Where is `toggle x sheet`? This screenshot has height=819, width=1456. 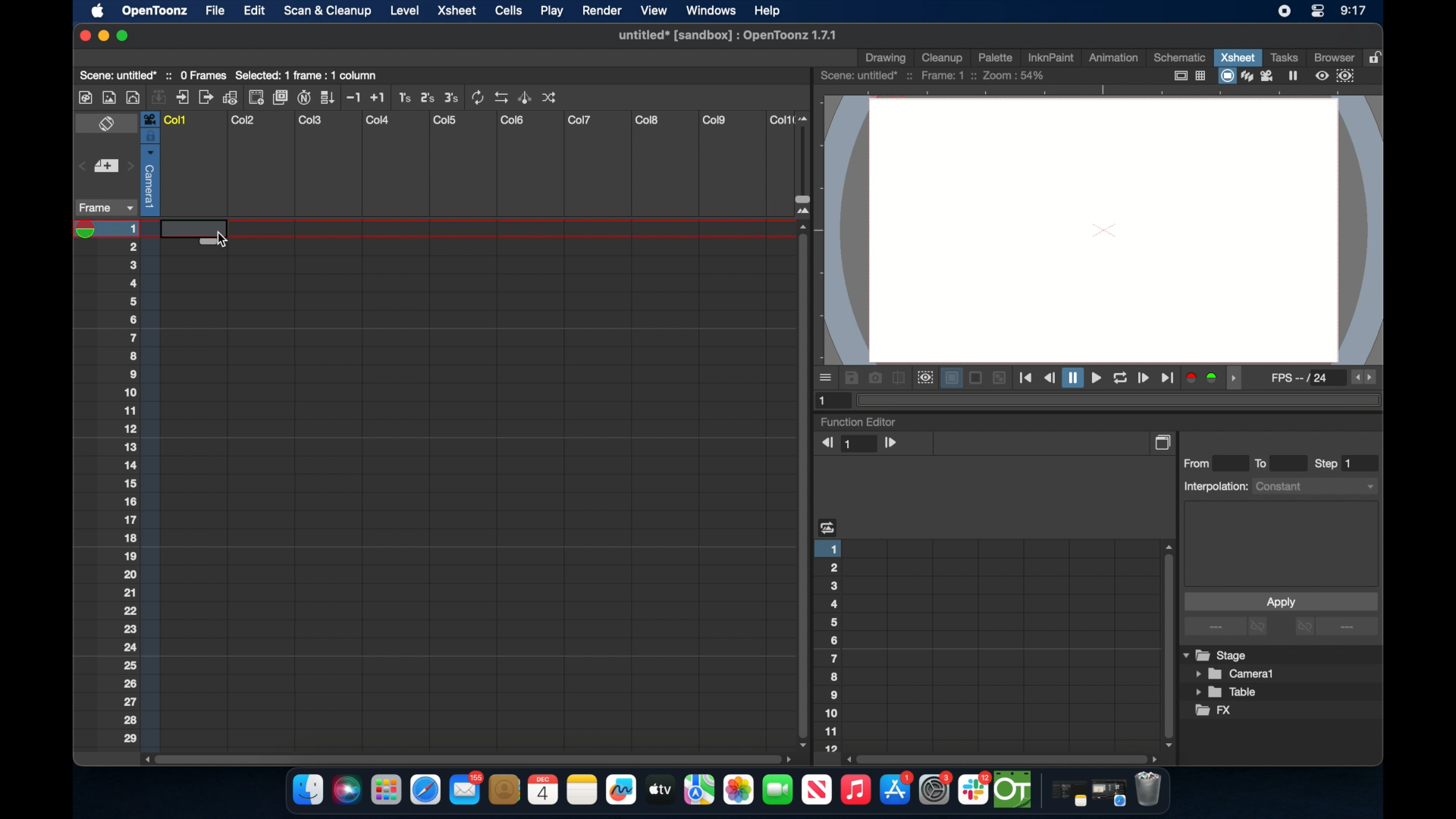 toggle x sheet is located at coordinates (108, 125).